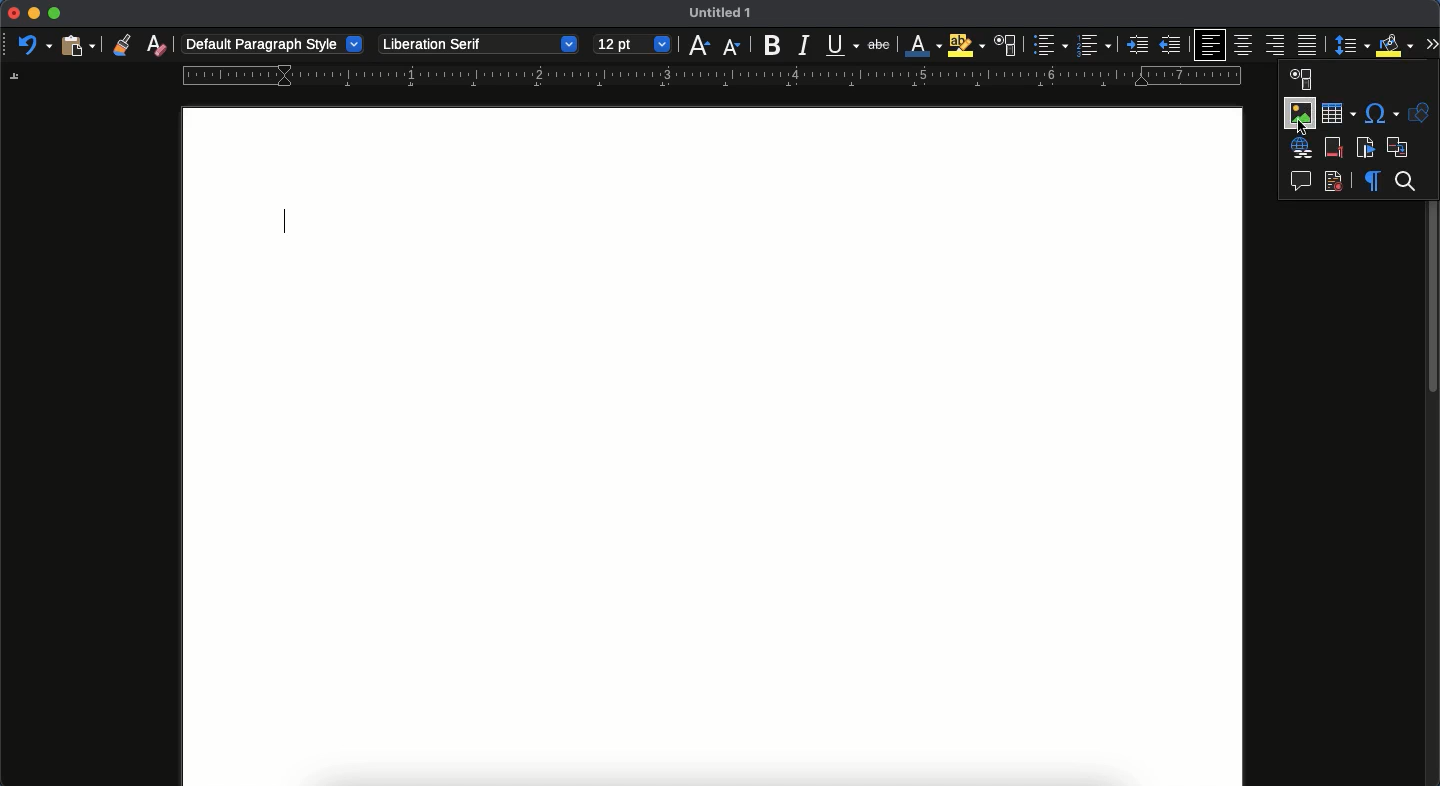 The width and height of the screenshot is (1440, 786). What do you see at coordinates (286, 220) in the screenshot?
I see `typing` at bounding box center [286, 220].